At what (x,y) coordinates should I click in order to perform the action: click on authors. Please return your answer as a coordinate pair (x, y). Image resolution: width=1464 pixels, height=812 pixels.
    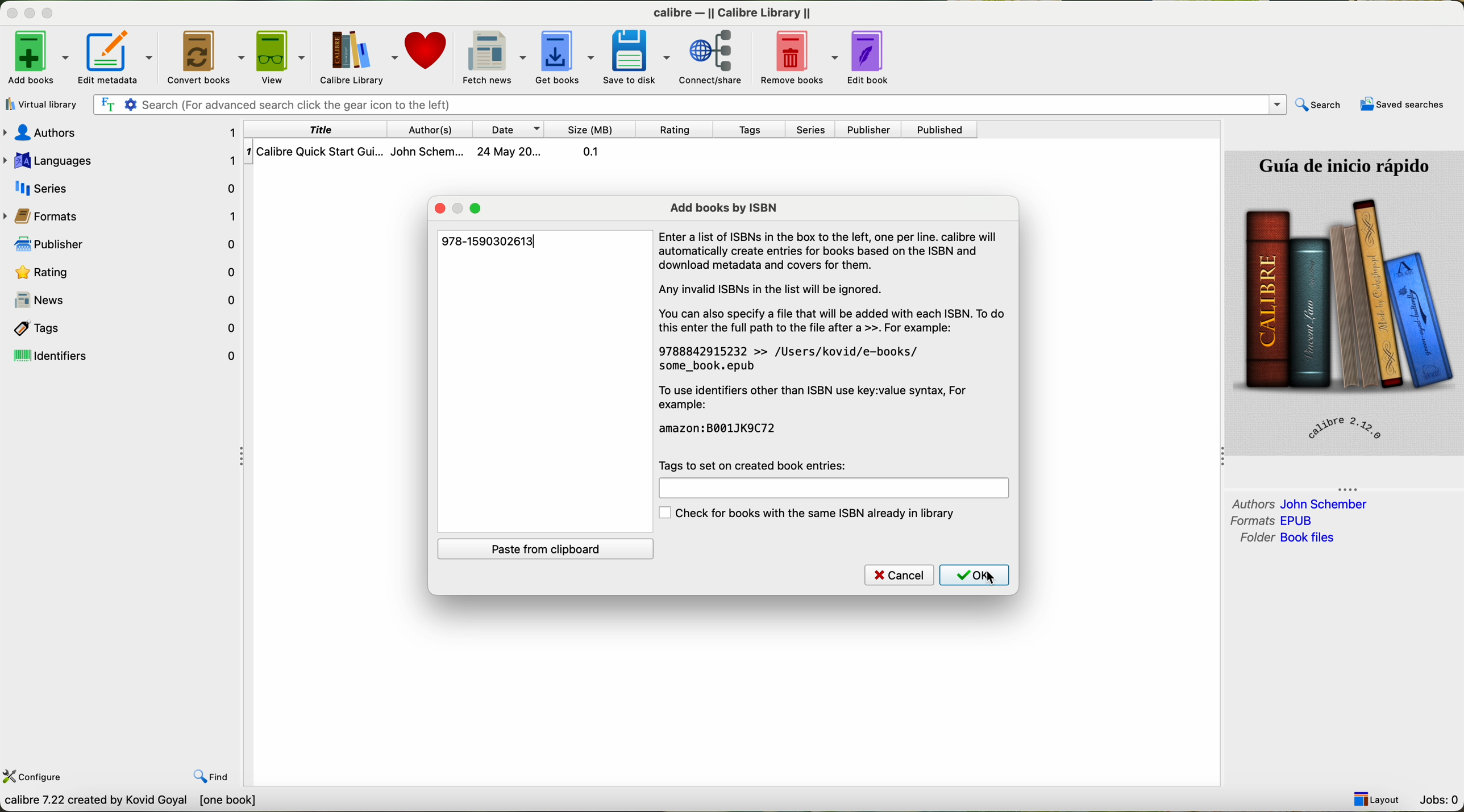
    Looking at the image, I should click on (1299, 503).